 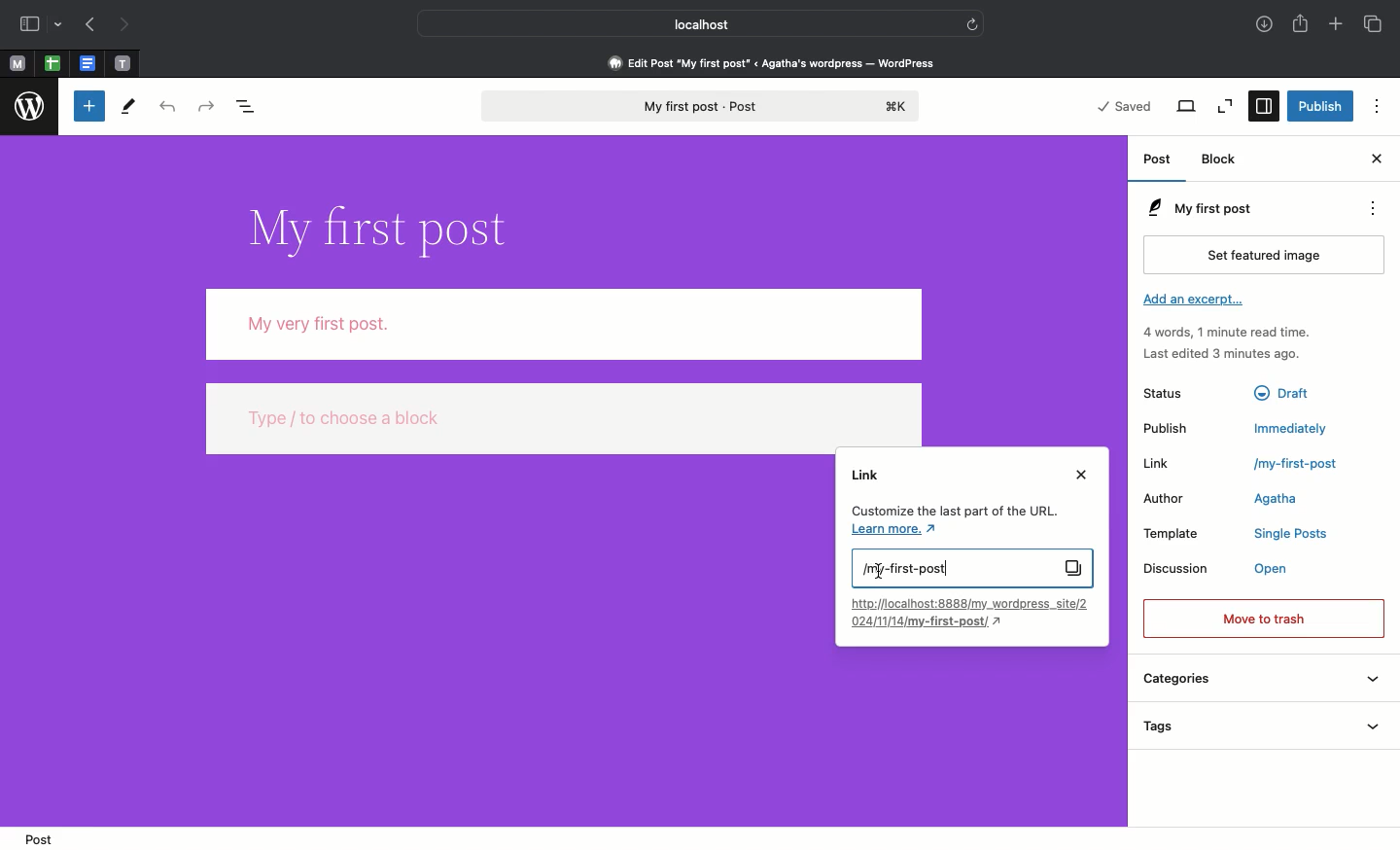 I want to click on Next page, so click(x=130, y=25).